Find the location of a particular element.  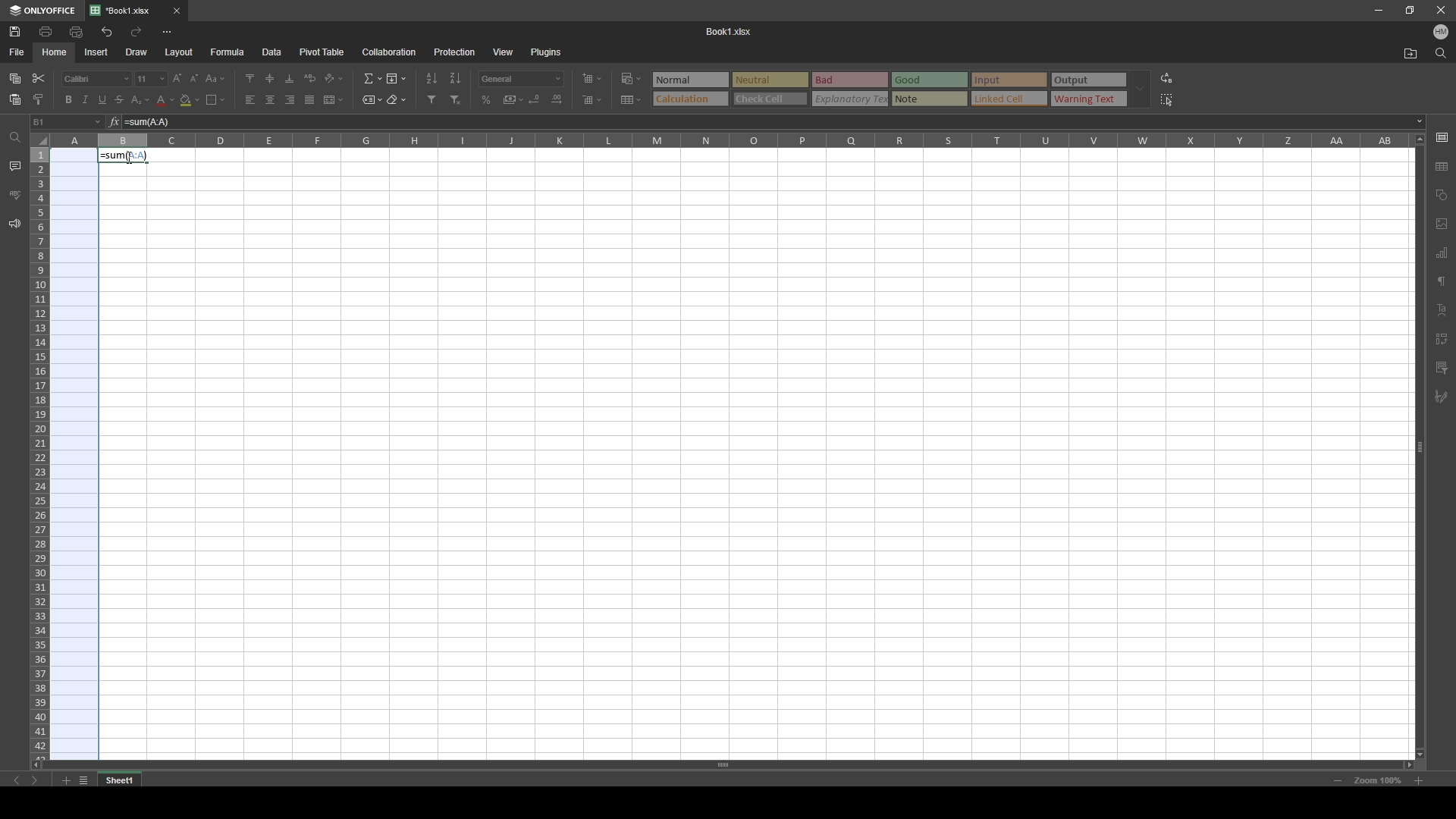

comma style is located at coordinates (513, 99).